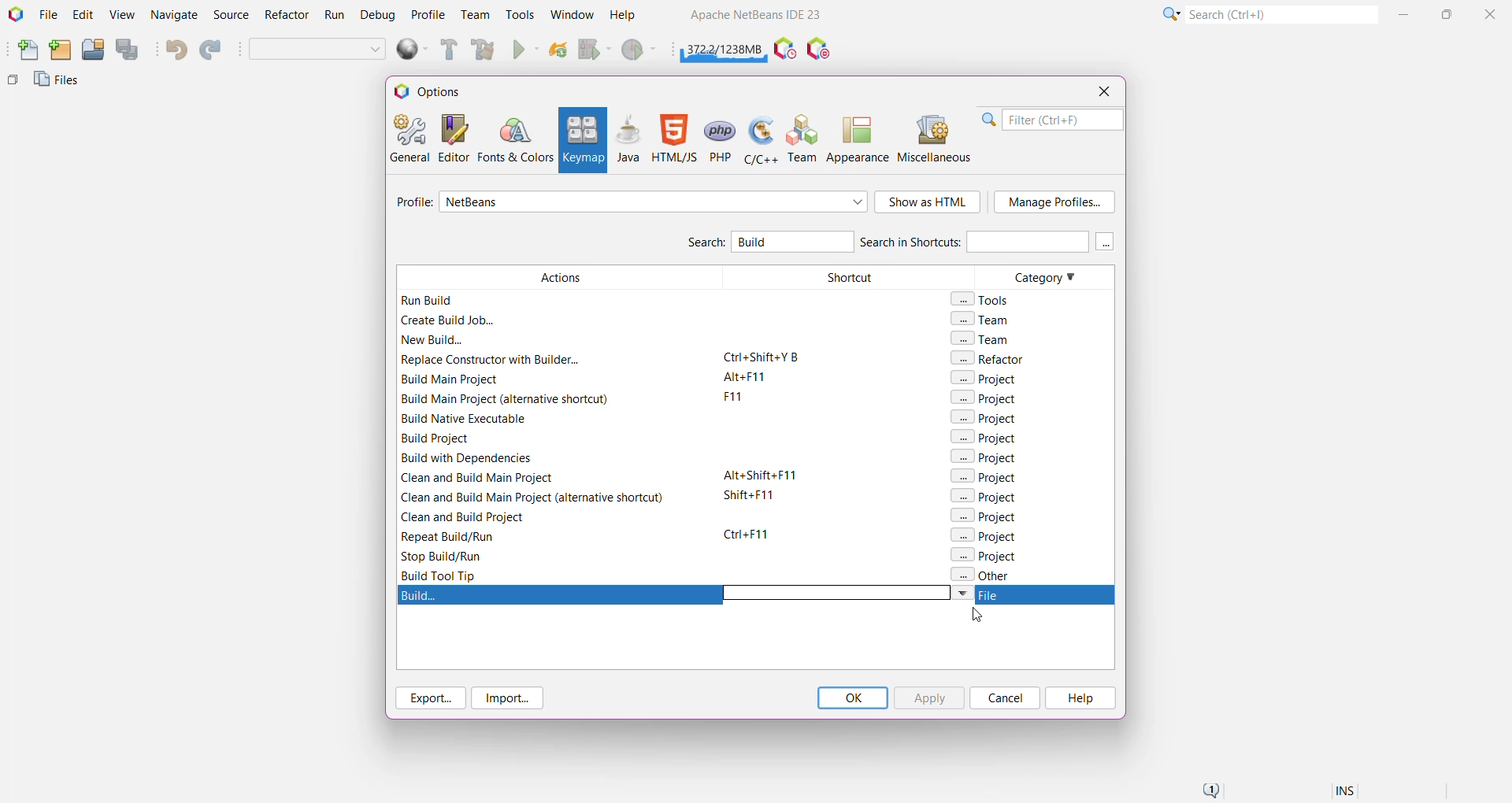 This screenshot has height=803, width=1512. Describe the element at coordinates (1079, 698) in the screenshot. I see `Help` at that location.